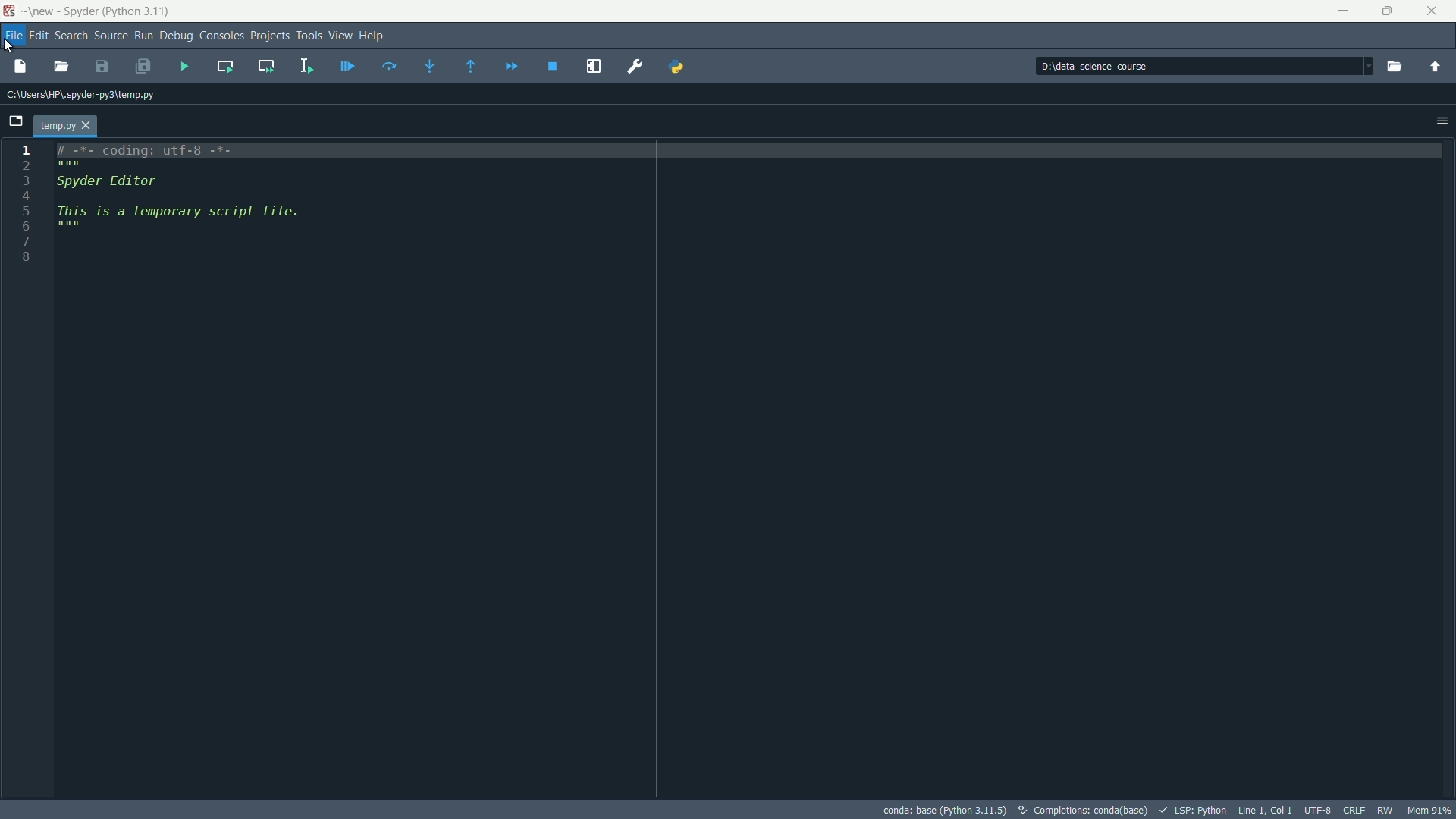 The image size is (1456, 819). What do you see at coordinates (1086, 808) in the screenshot?
I see `completion conda` at bounding box center [1086, 808].